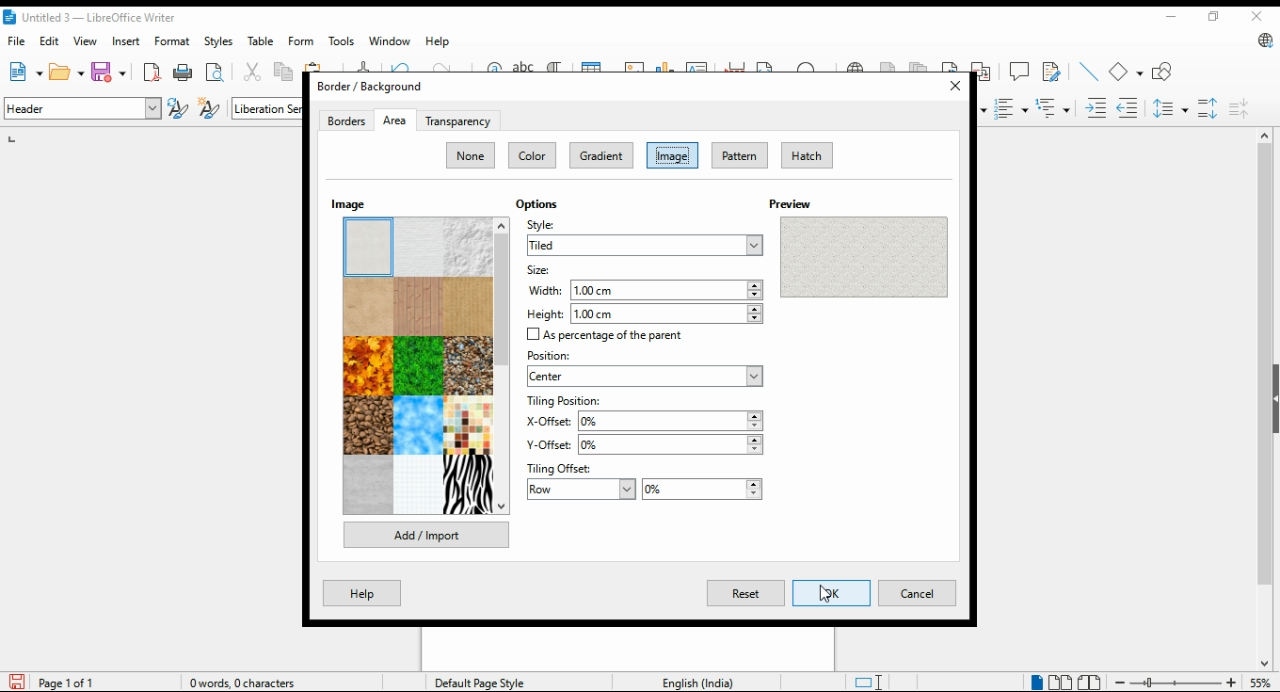 This screenshot has height=692, width=1280. What do you see at coordinates (360, 593) in the screenshot?
I see `help` at bounding box center [360, 593].